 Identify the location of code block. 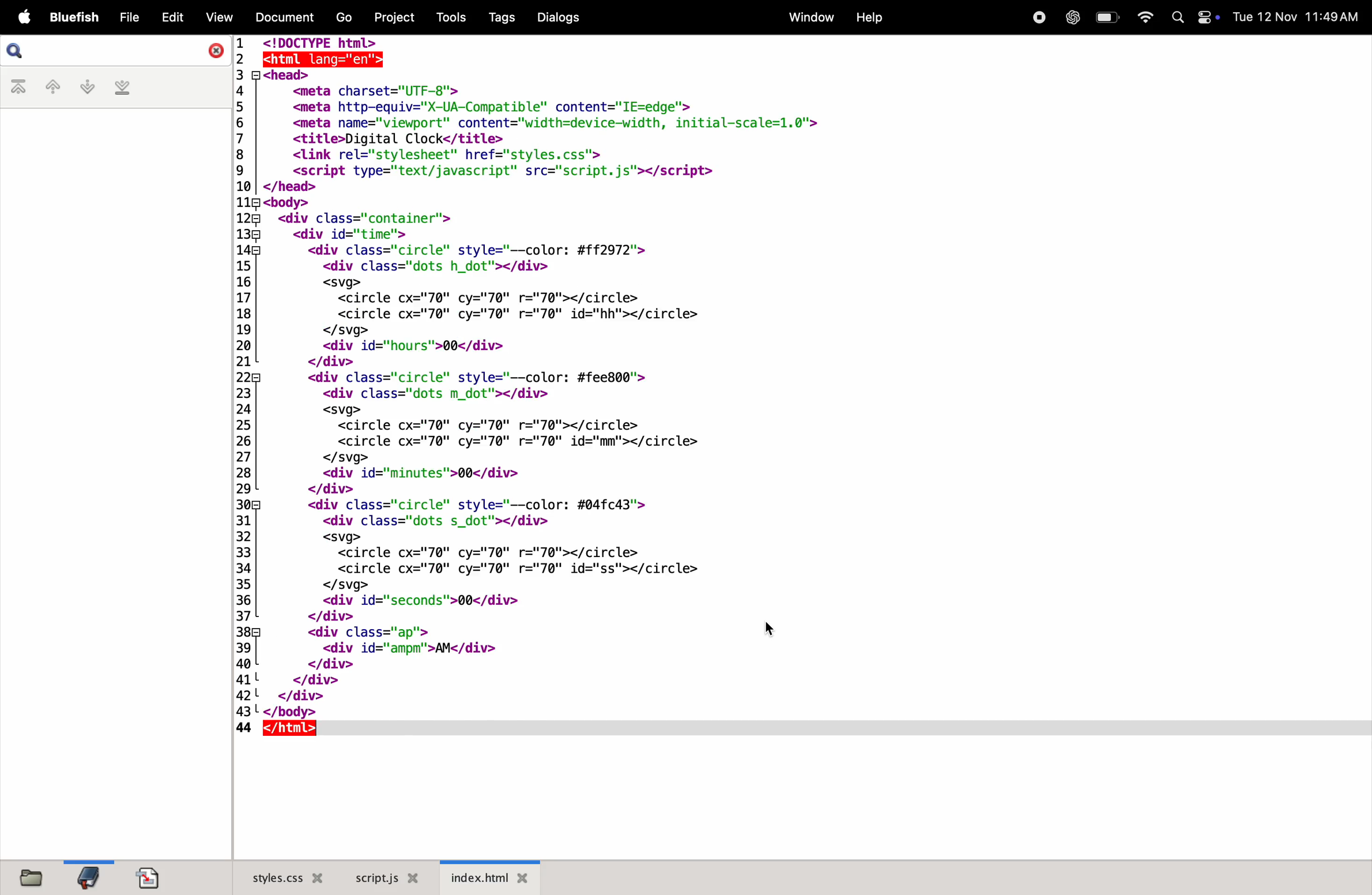
(536, 390).